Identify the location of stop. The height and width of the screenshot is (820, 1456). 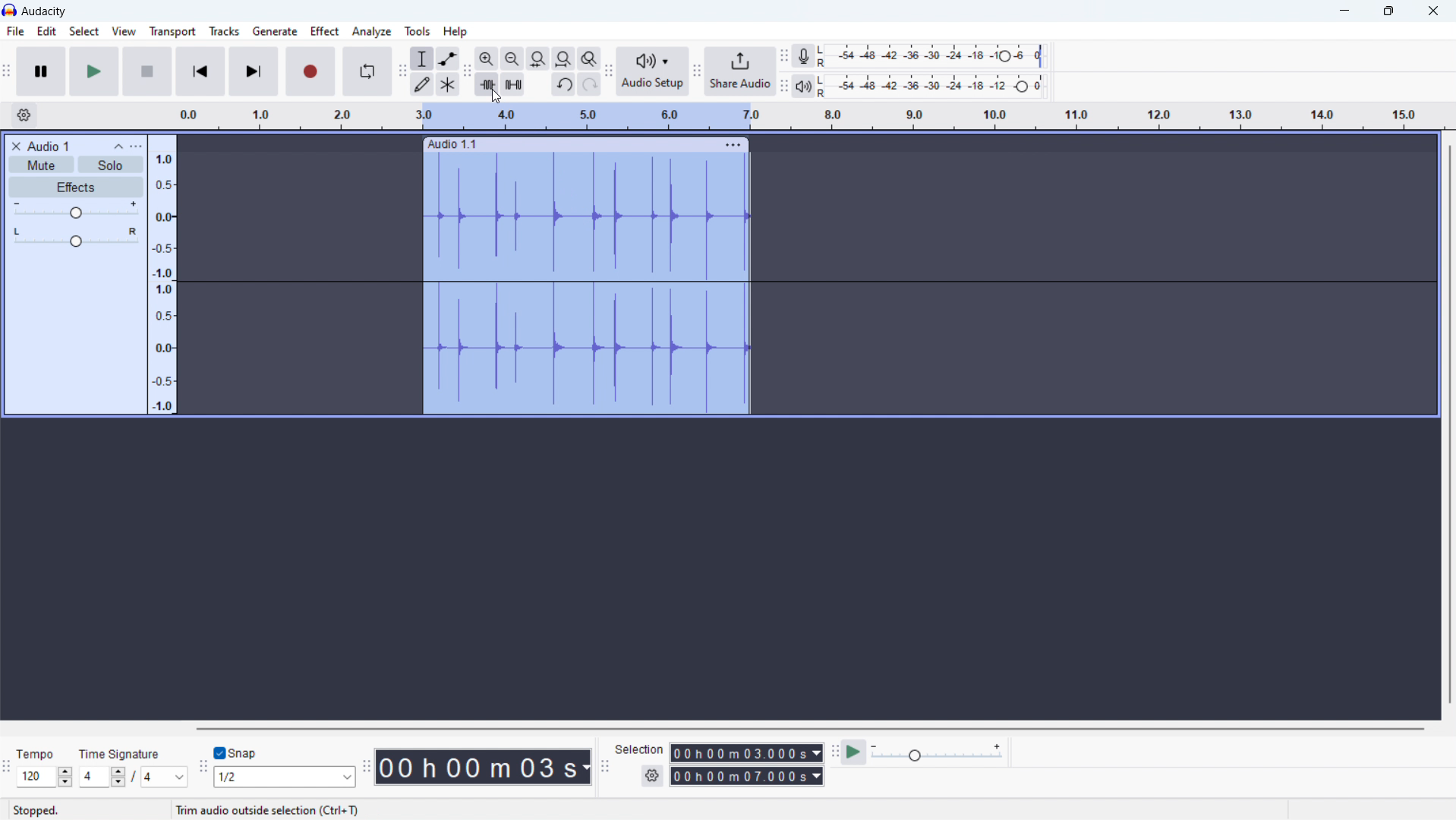
(148, 71).